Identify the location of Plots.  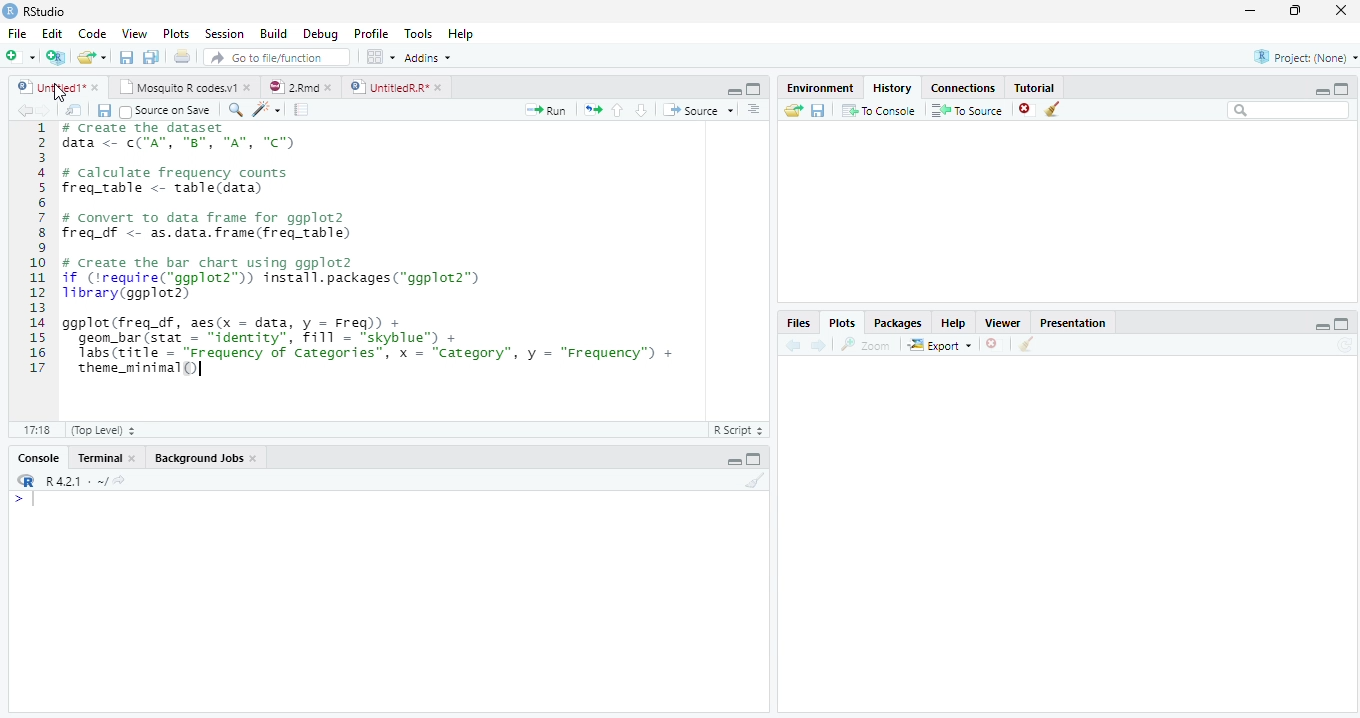
(842, 322).